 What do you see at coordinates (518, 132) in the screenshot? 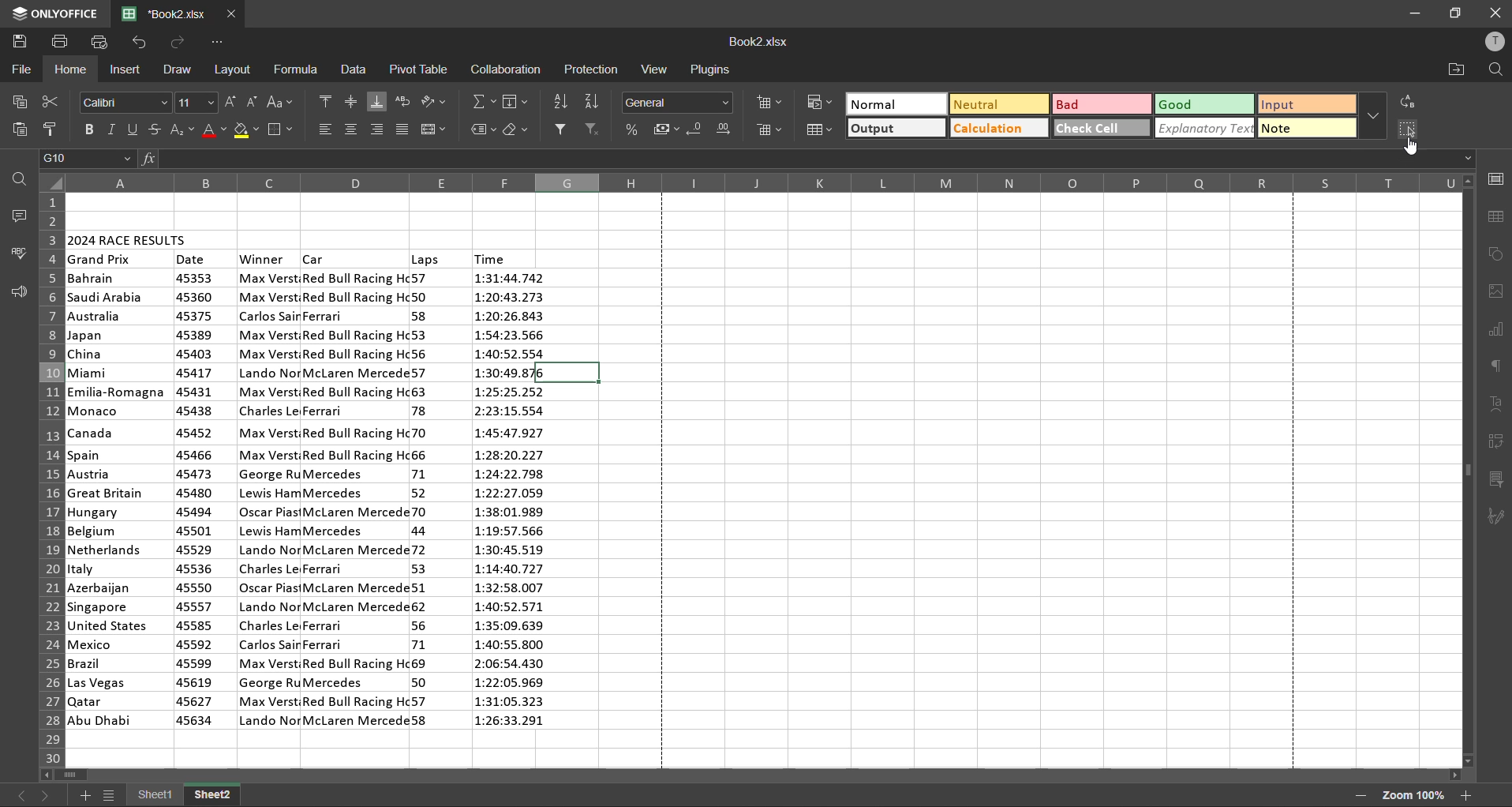
I see `clear` at bounding box center [518, 132].